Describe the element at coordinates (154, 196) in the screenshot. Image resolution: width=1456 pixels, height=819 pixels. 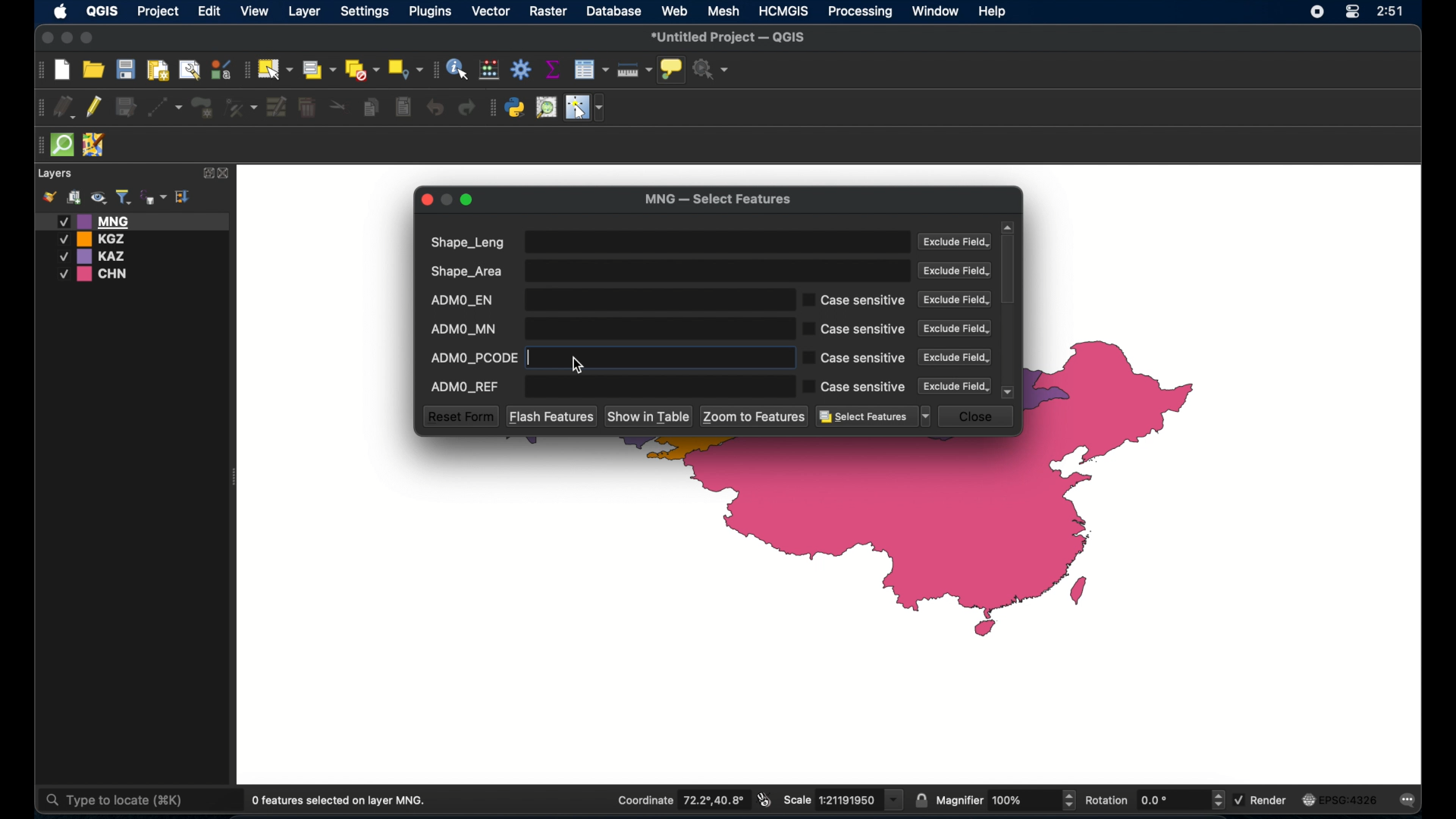
I see `filter legend by expression` at that location.